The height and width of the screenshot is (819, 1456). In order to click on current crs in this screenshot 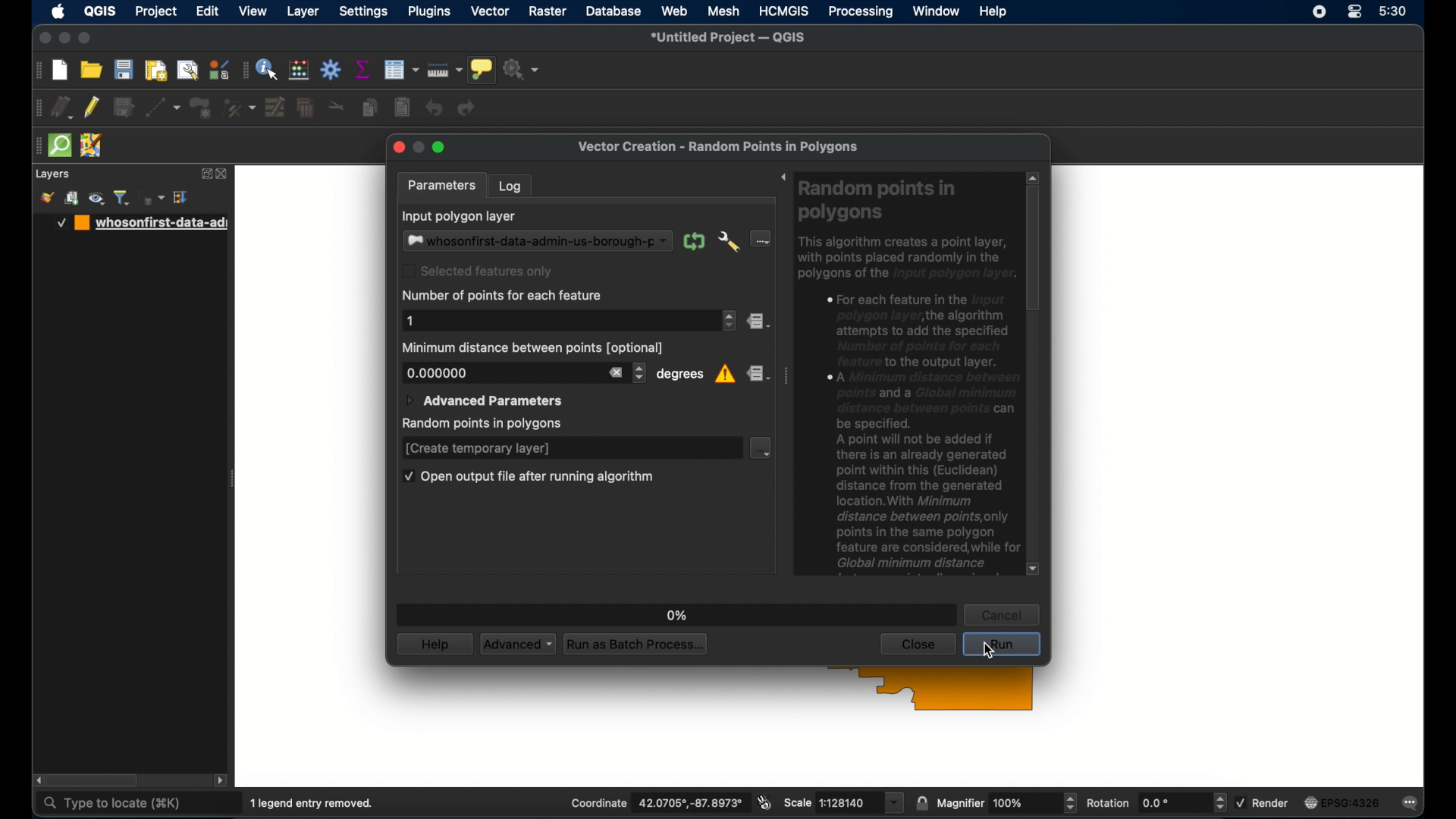, I will do `click(1341, 803)`.